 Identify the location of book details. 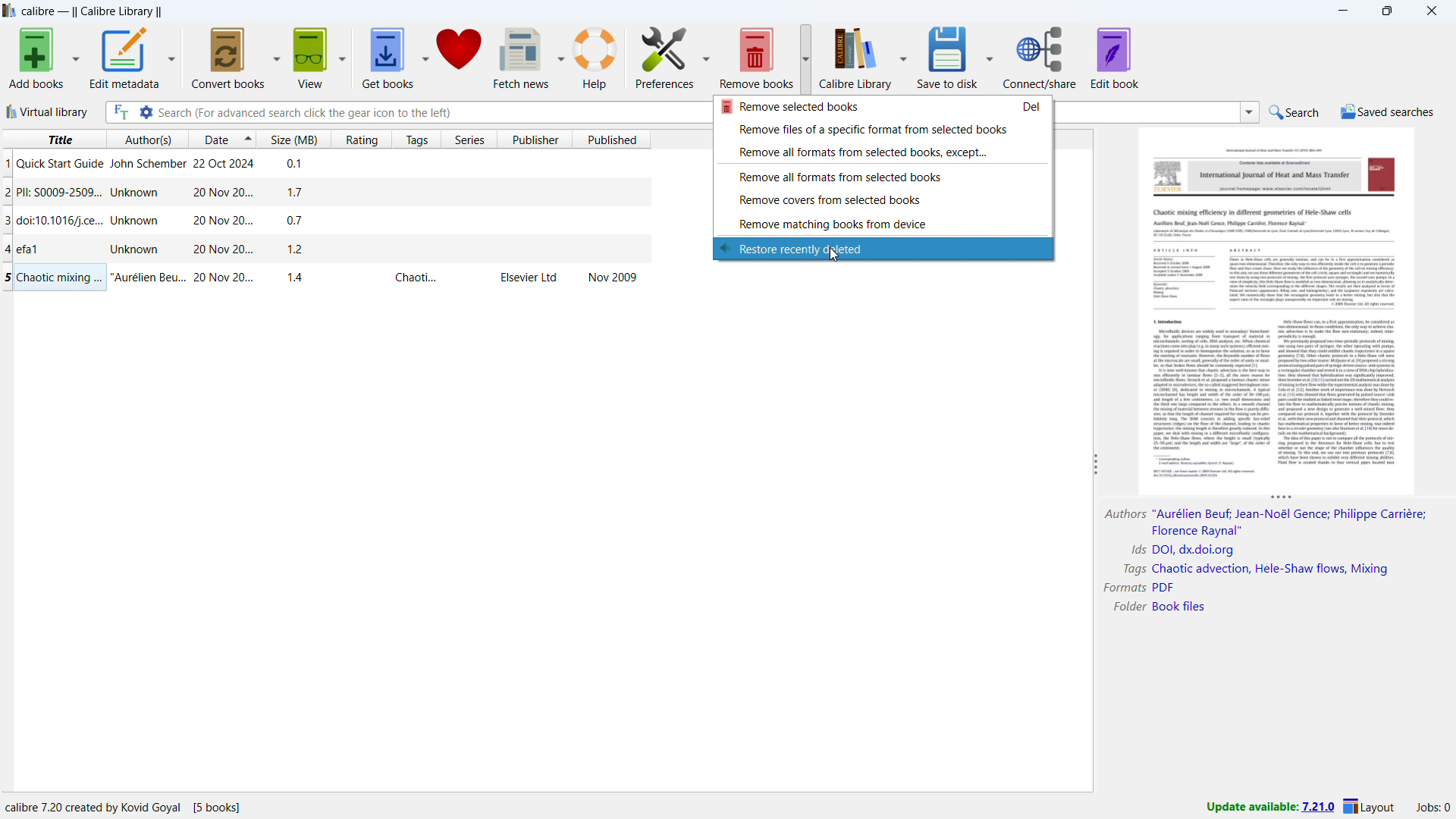
(1263, 562).